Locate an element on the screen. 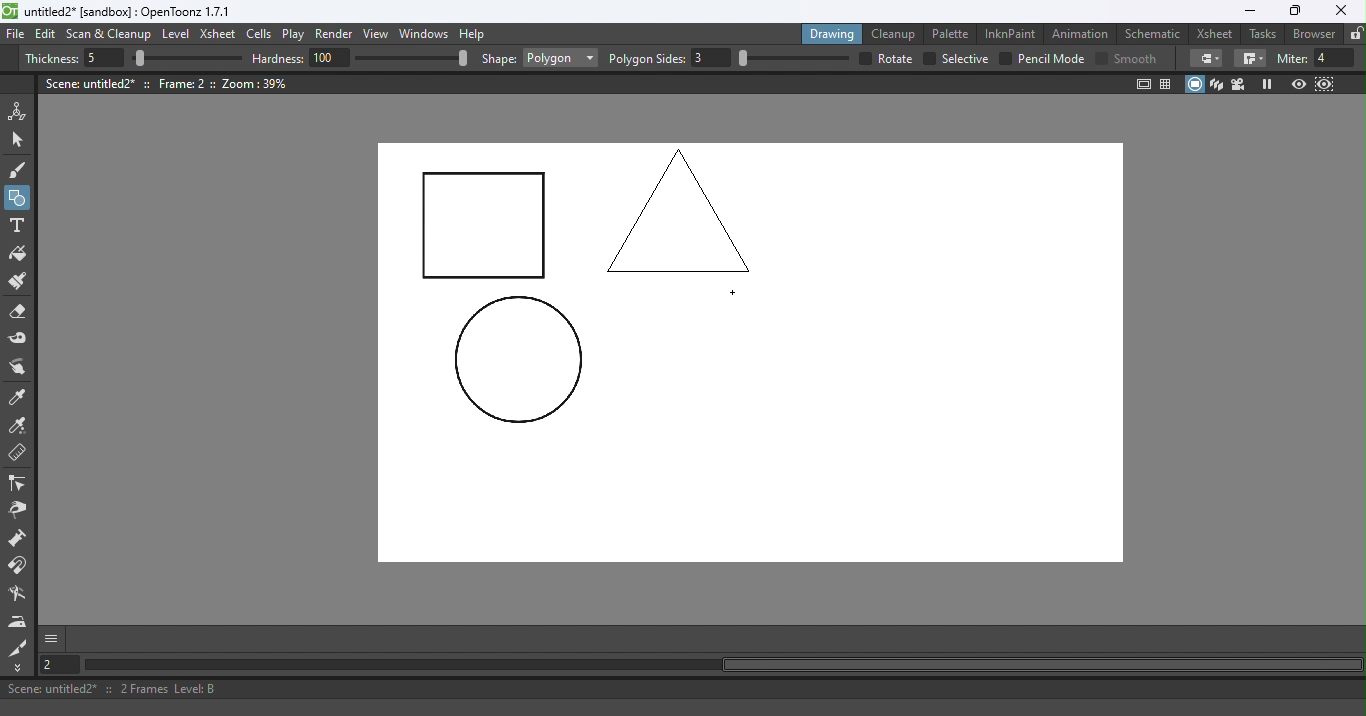 The image size is (1366, 716). Close is located at coordinates (1340, 11).